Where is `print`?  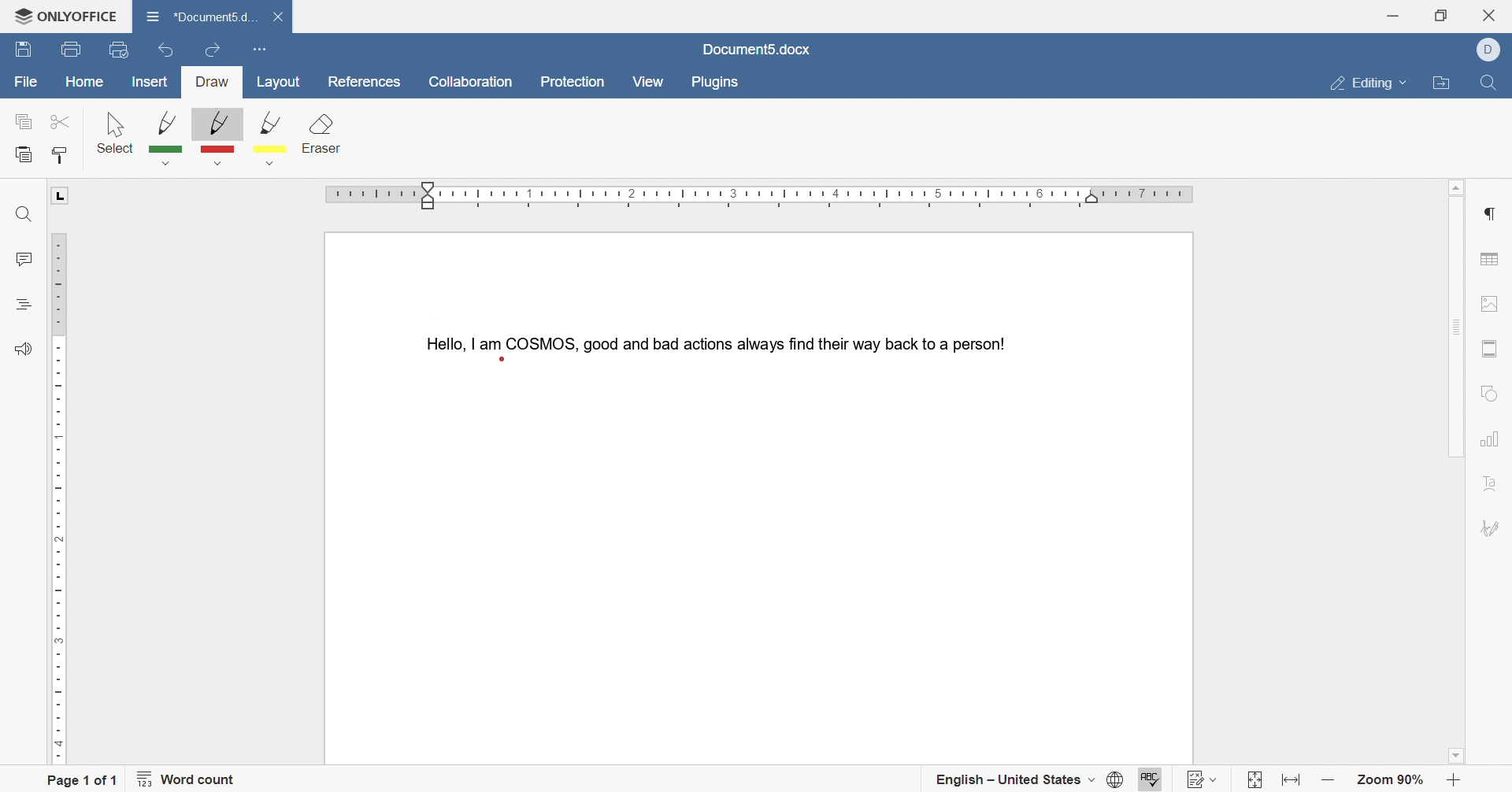
print is located at coordinates (69, 50).